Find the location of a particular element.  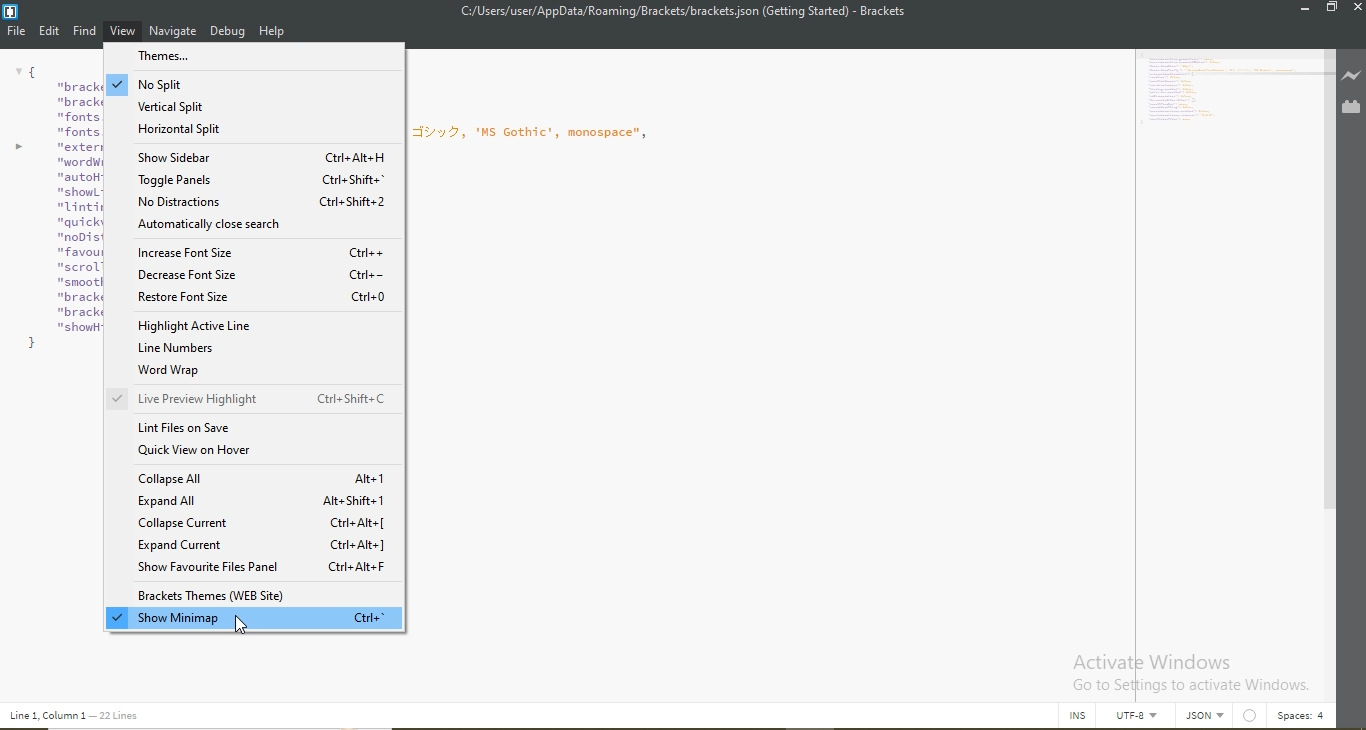

 UTF-8 is located at coordinates (1142, 719).